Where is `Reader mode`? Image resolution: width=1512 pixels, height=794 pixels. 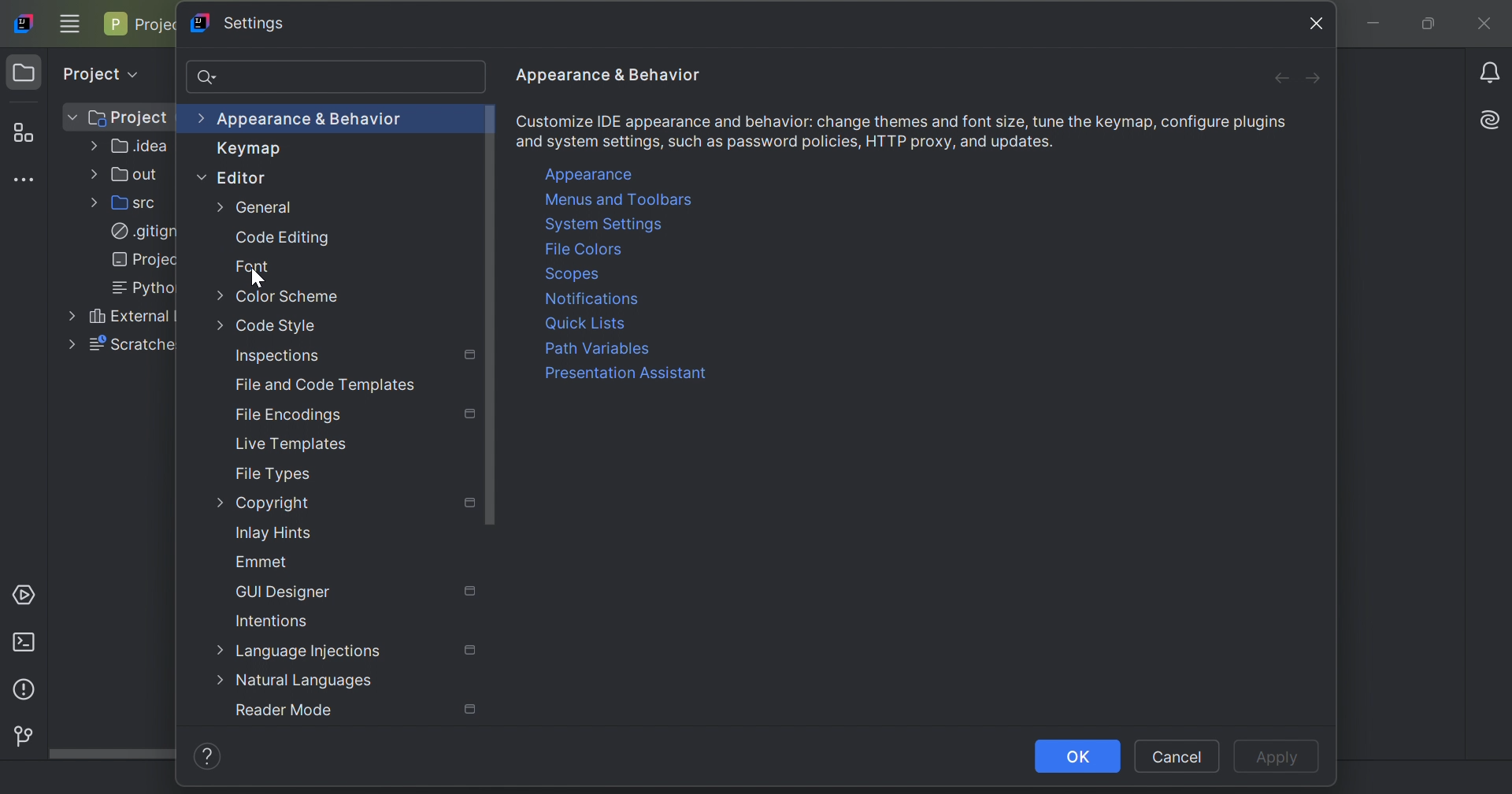 Reader mode is located at coordinates (283, 711).